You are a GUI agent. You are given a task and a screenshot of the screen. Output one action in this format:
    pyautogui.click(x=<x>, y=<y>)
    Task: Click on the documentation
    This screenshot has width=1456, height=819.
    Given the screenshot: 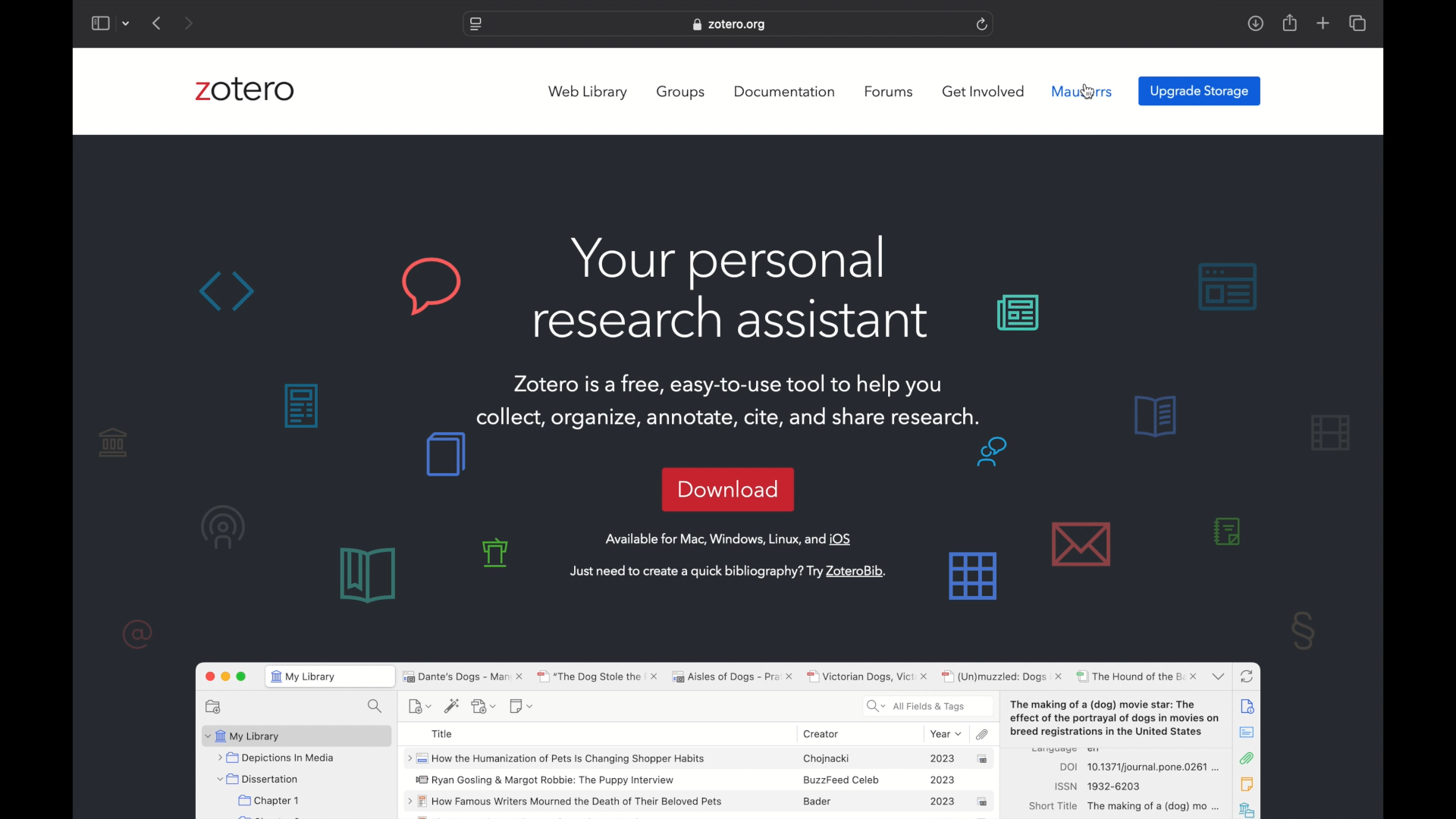 What is the action you would take?
    pyautogui.click(x=786, y=92)
    